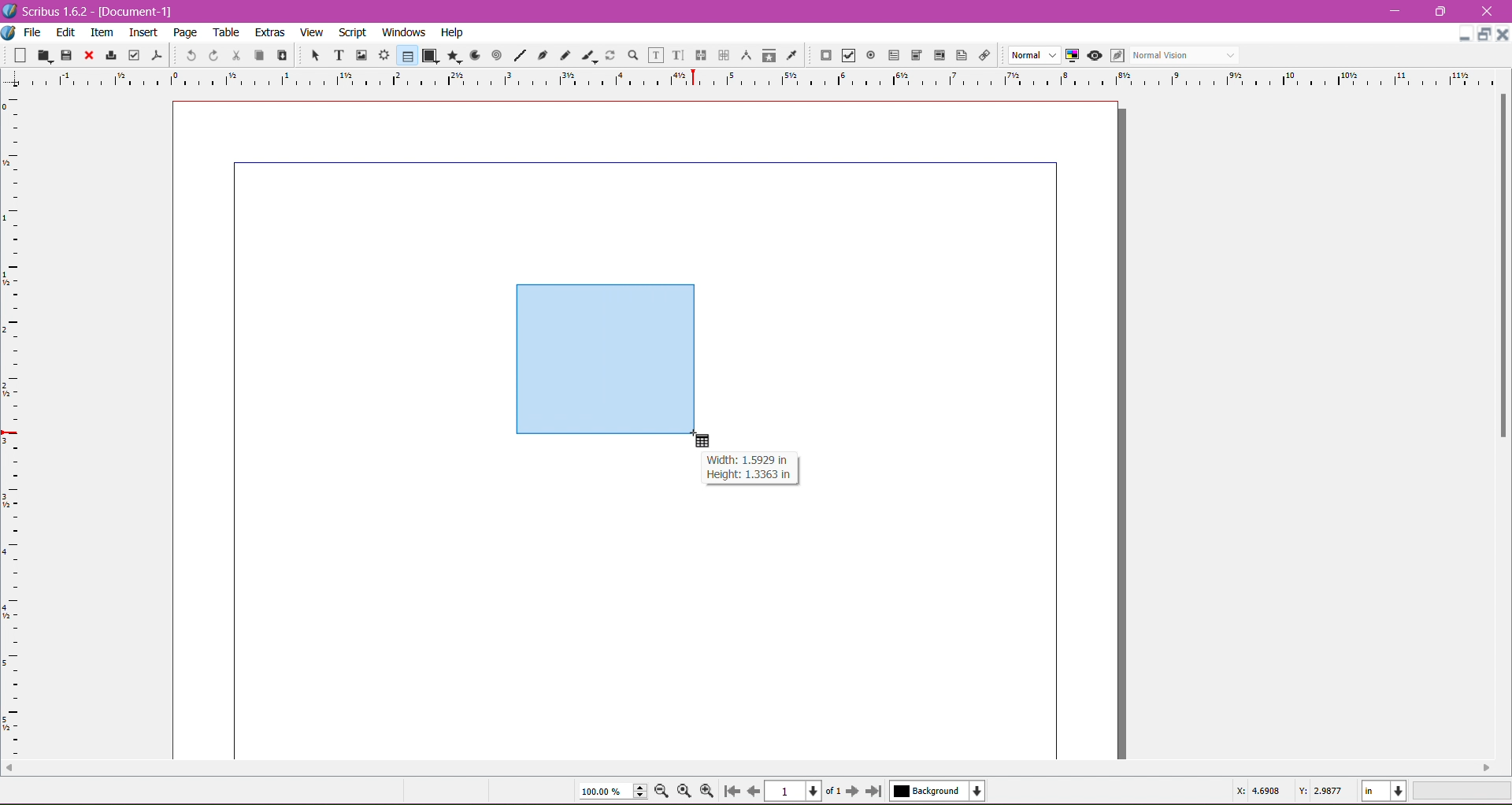 The width and height of the screenshot is (1512, 805). I want to click on Tables, so click(406, 55).